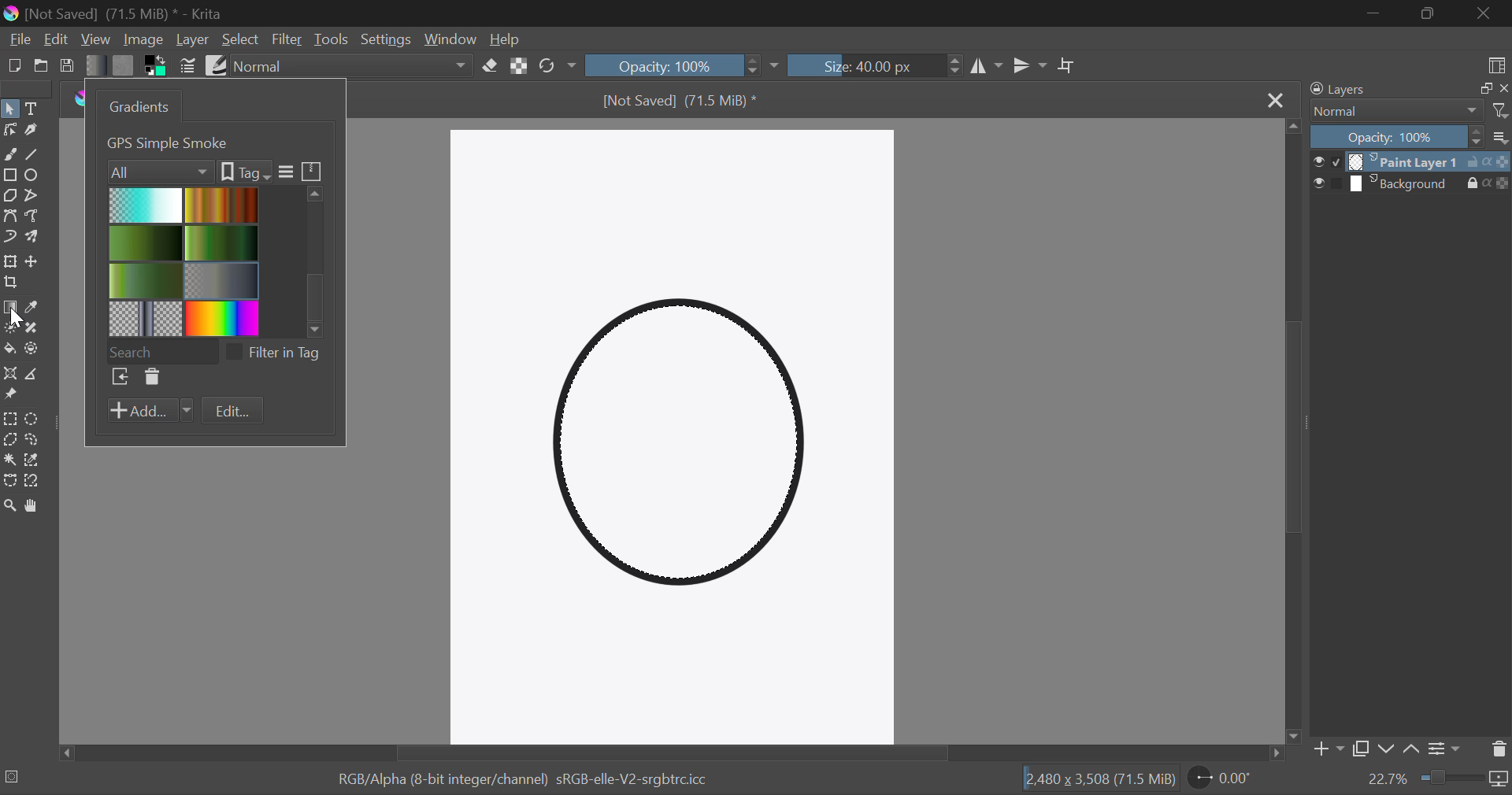  Describe the element at coordinates (1387, 751) in the screenshot. I see `Move layer down` at that location.